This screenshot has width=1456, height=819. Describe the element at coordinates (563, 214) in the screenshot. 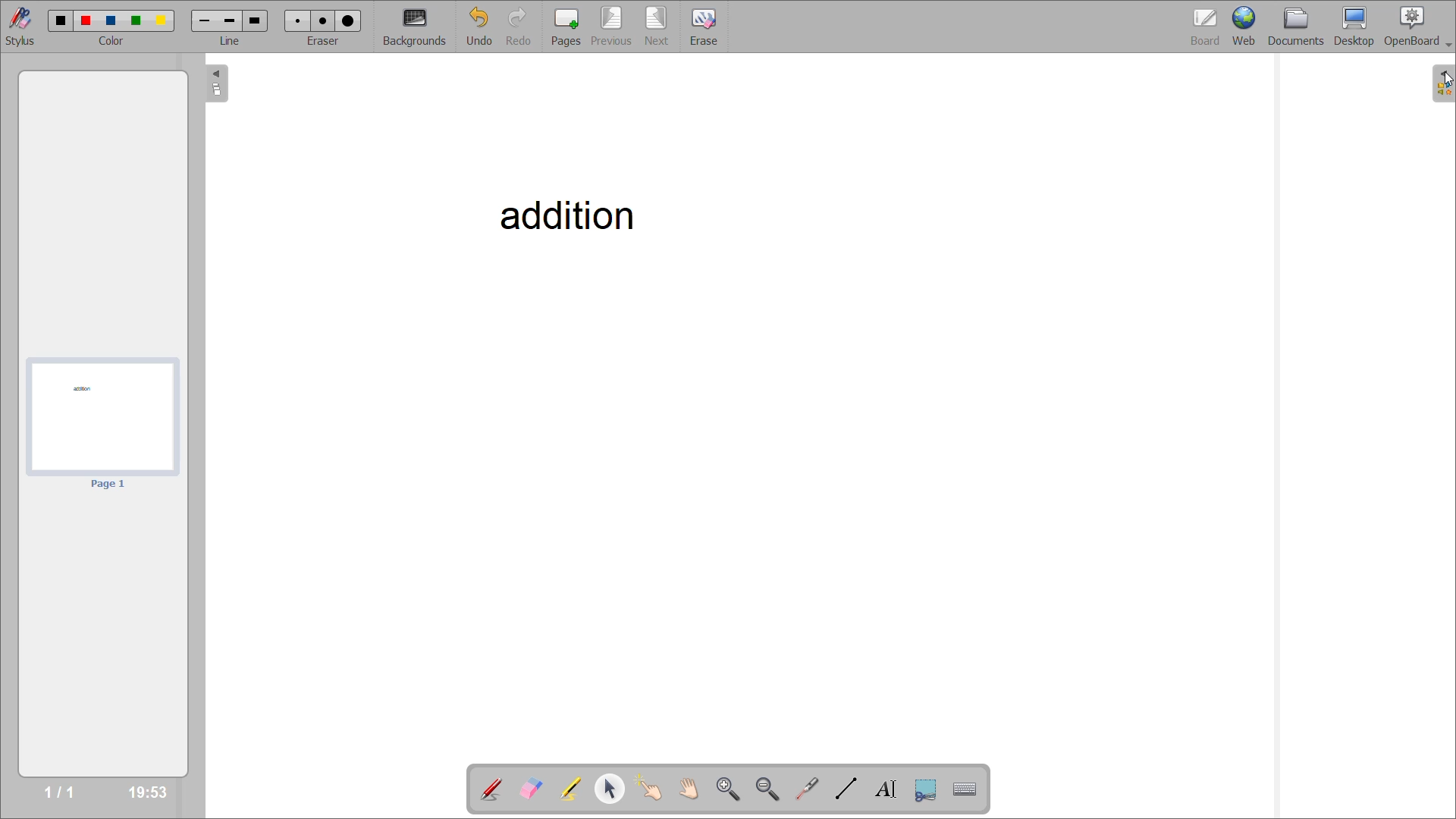

I see `addition - title` at that location.